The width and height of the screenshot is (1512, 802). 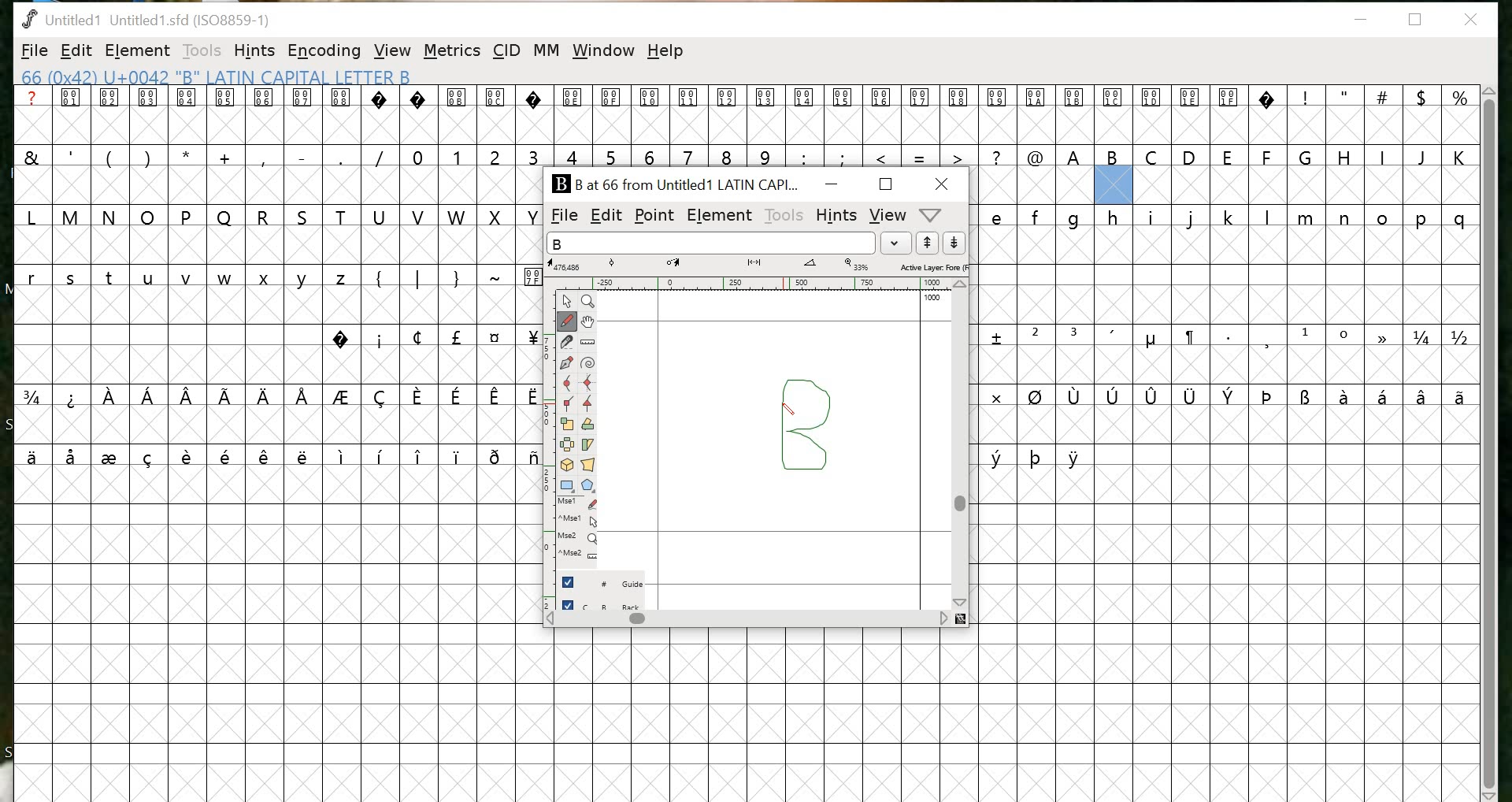 What do you see at coordinates (580, 539) in the screenshot?
I see `Mouse wheel button` at bounding box center [580, 539].